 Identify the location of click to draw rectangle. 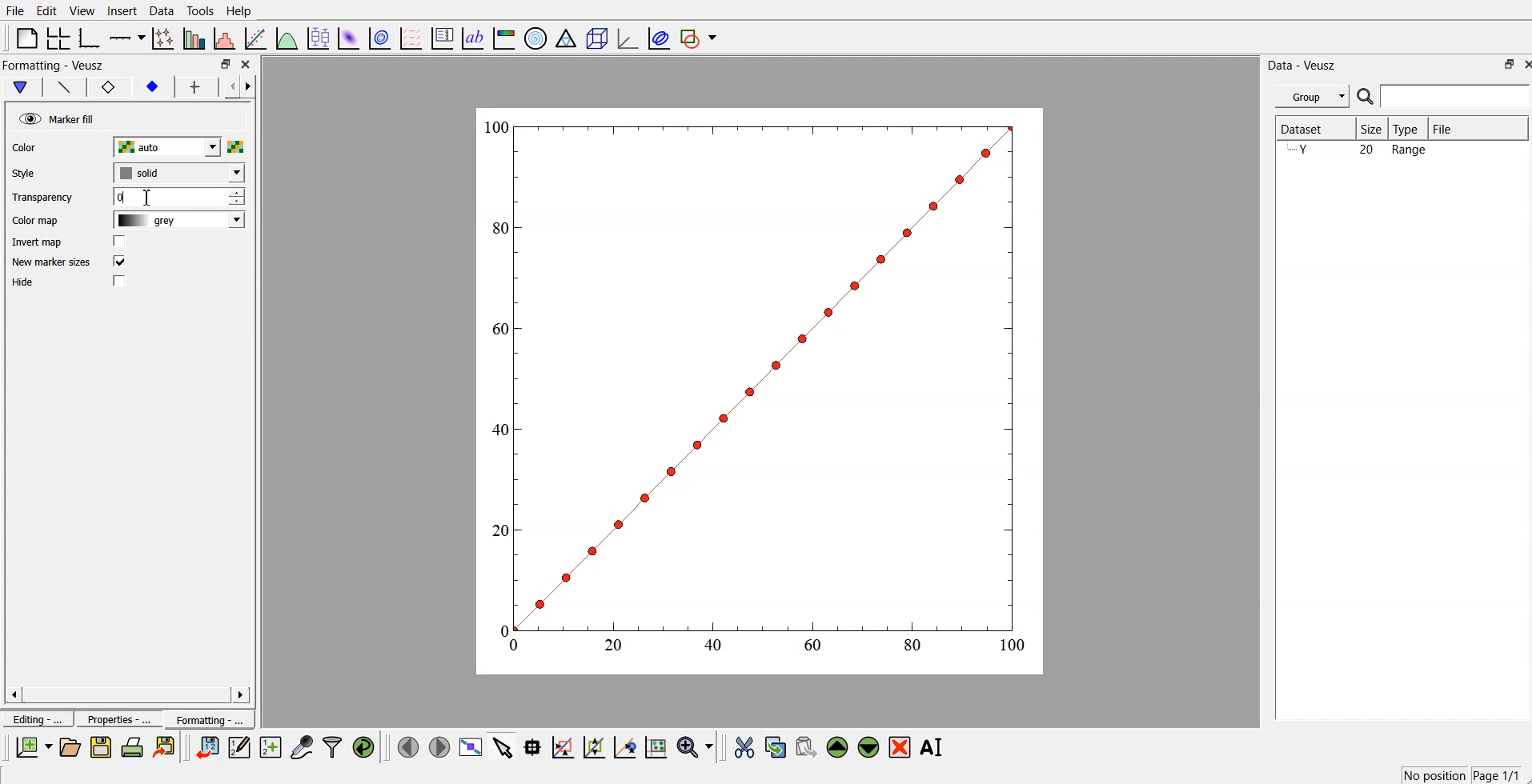
(563, 746).